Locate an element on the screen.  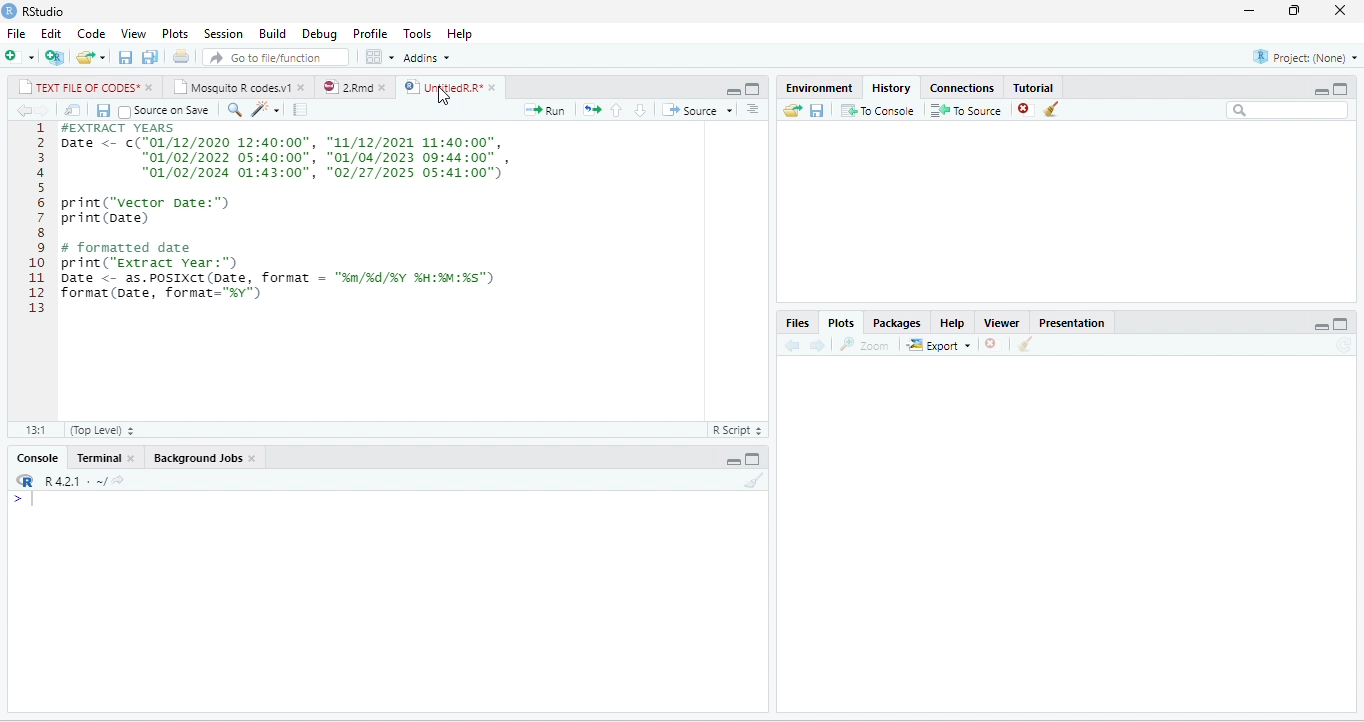
forward is located at coordinates (43, 110).